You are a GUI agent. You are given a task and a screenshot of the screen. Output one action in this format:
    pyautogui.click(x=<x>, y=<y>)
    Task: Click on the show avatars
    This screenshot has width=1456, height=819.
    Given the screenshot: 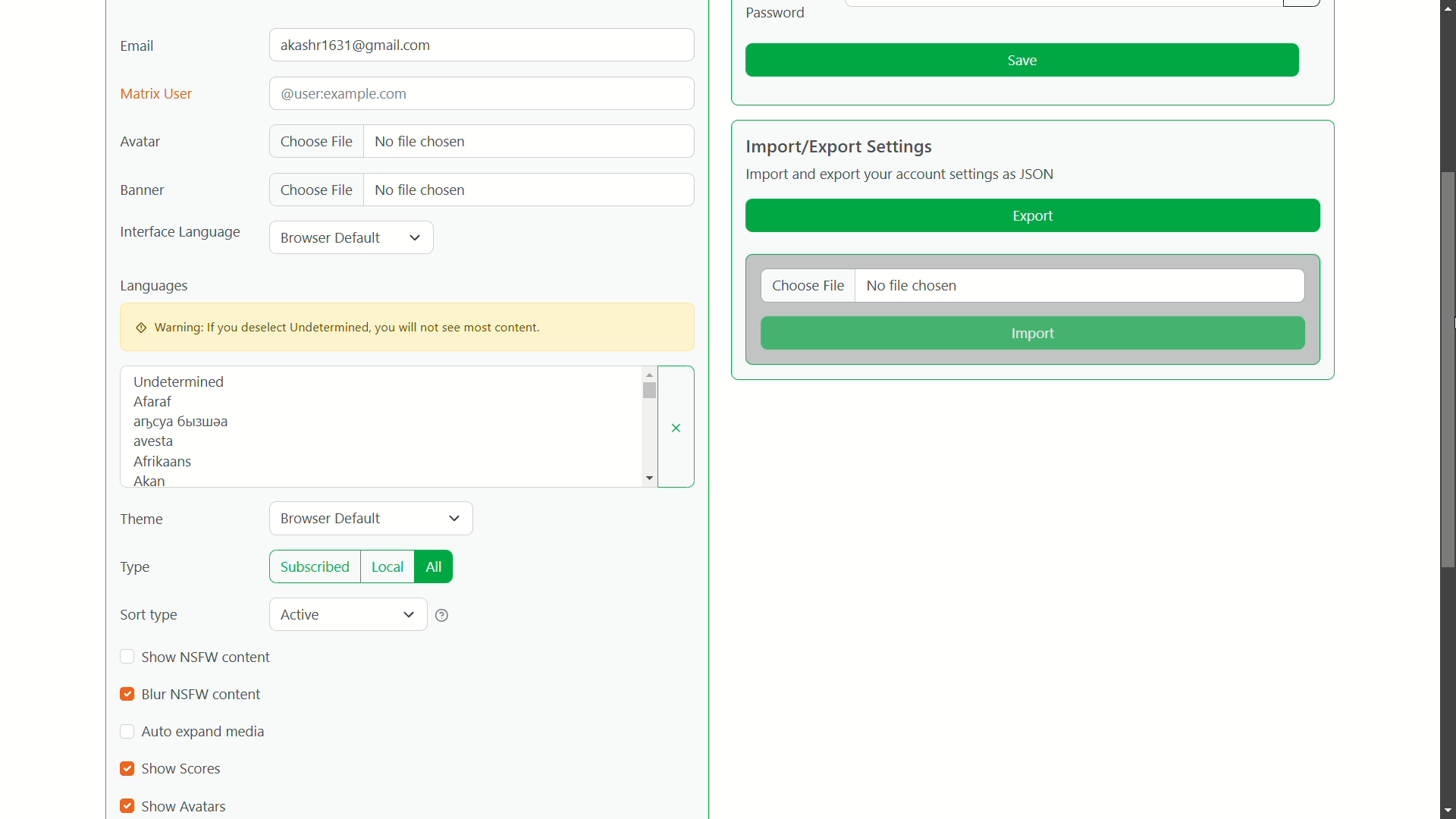 What is the action you would take?
    pyautogui.click(x=184, y=806)
    